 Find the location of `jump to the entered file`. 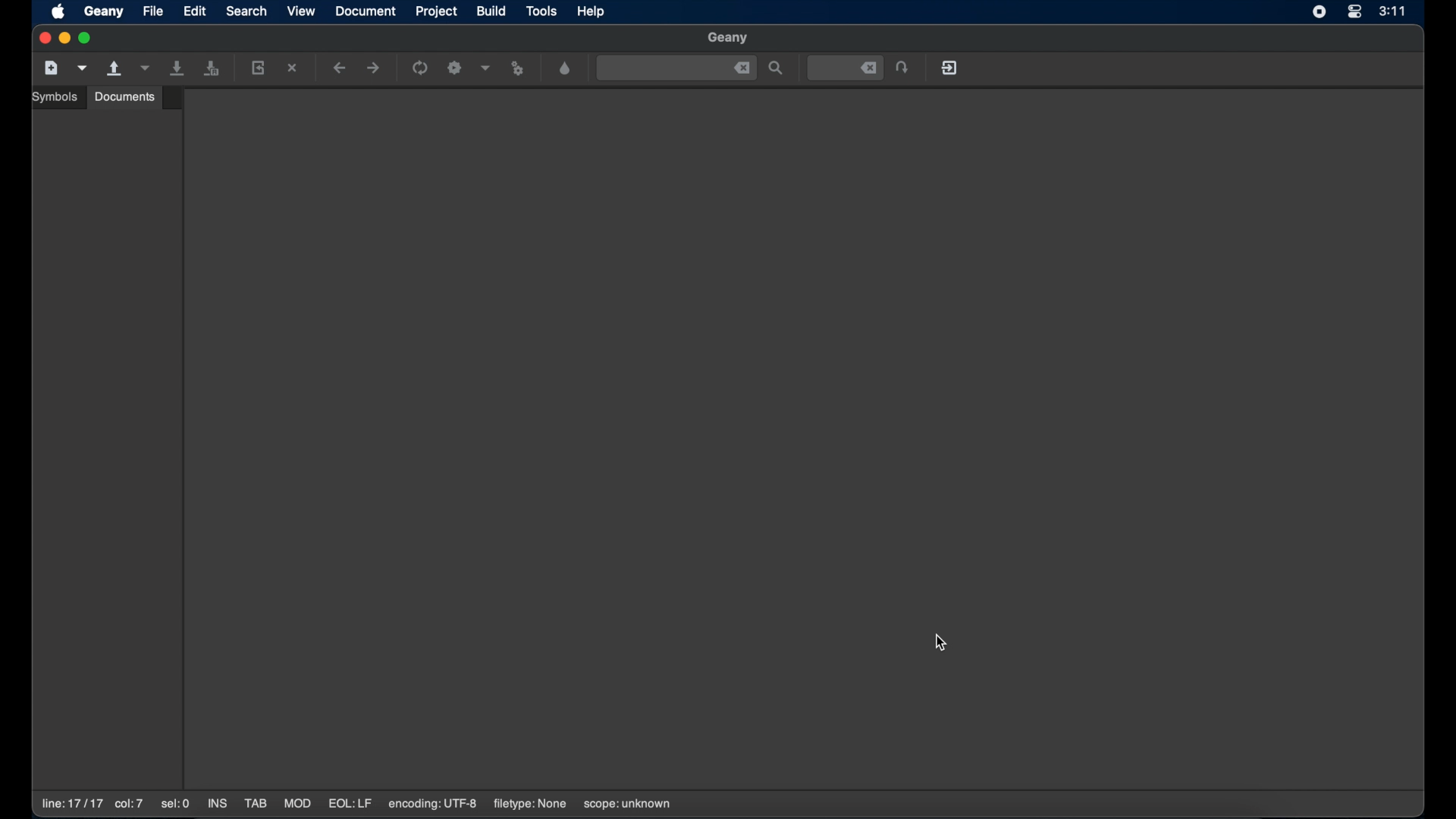

jump to the entered file is located at coordinates (846, 68).